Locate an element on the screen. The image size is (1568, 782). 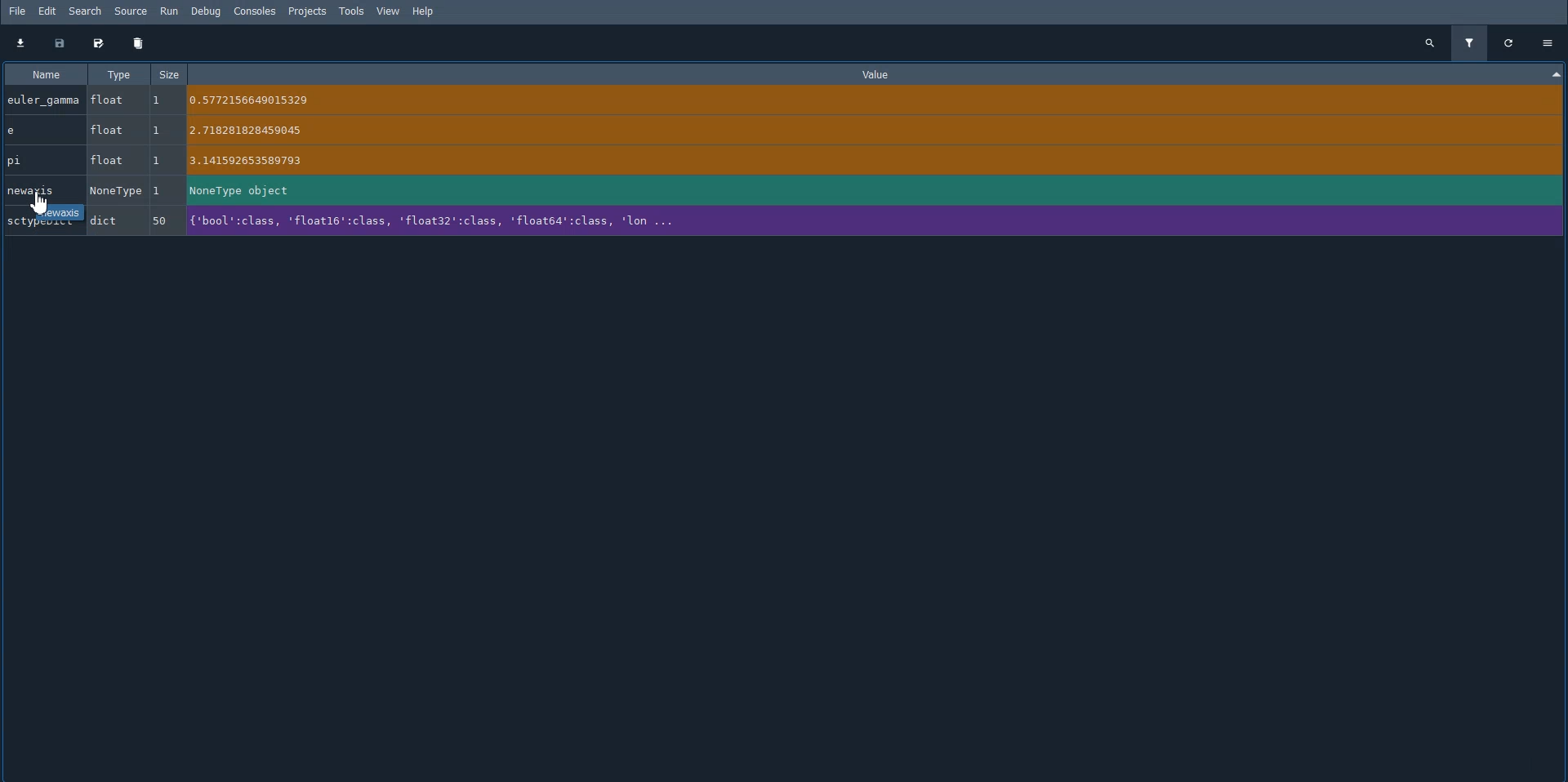
Source is located at coordinates (130, 10).